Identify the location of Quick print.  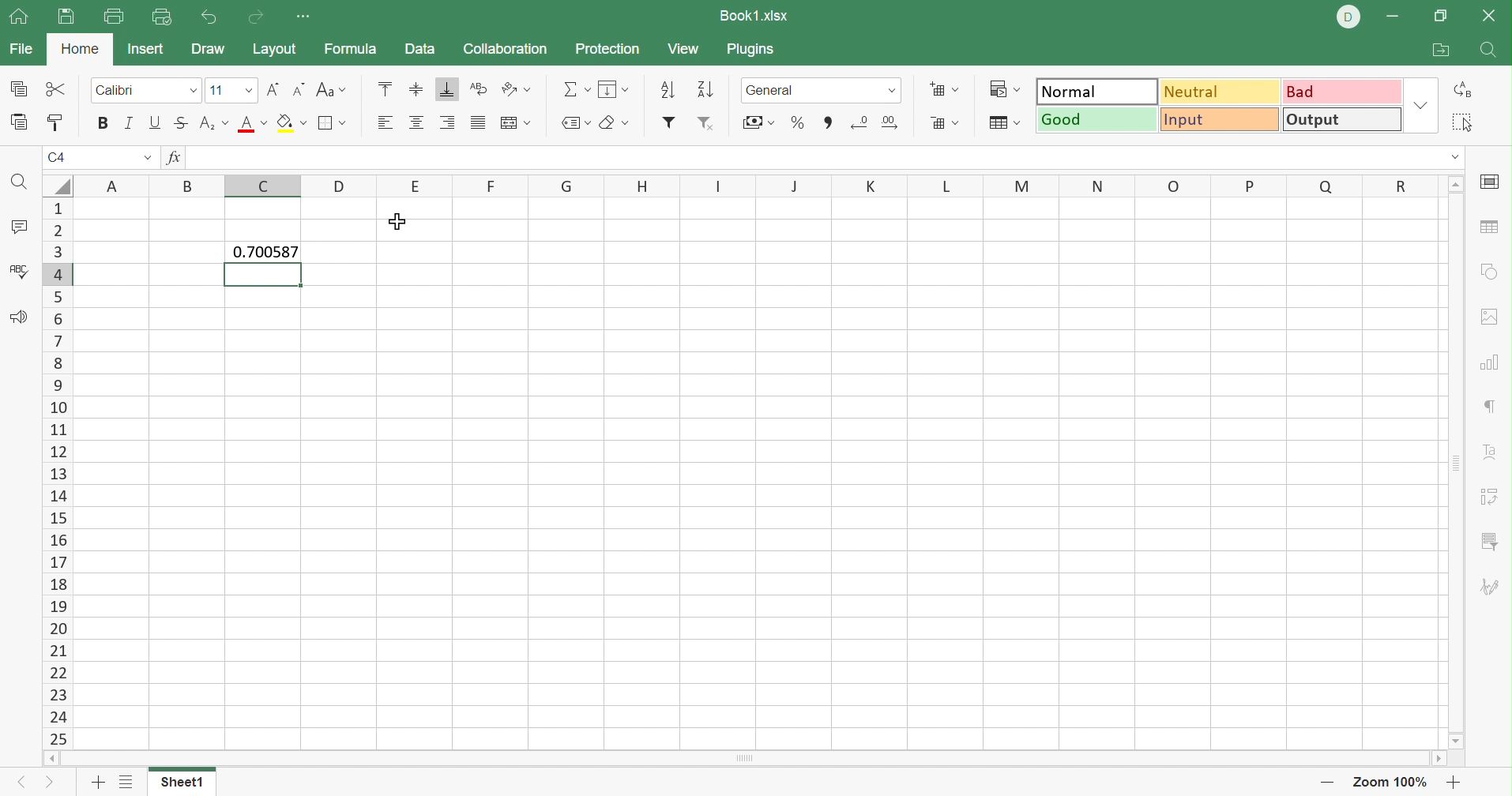
(164, 17).